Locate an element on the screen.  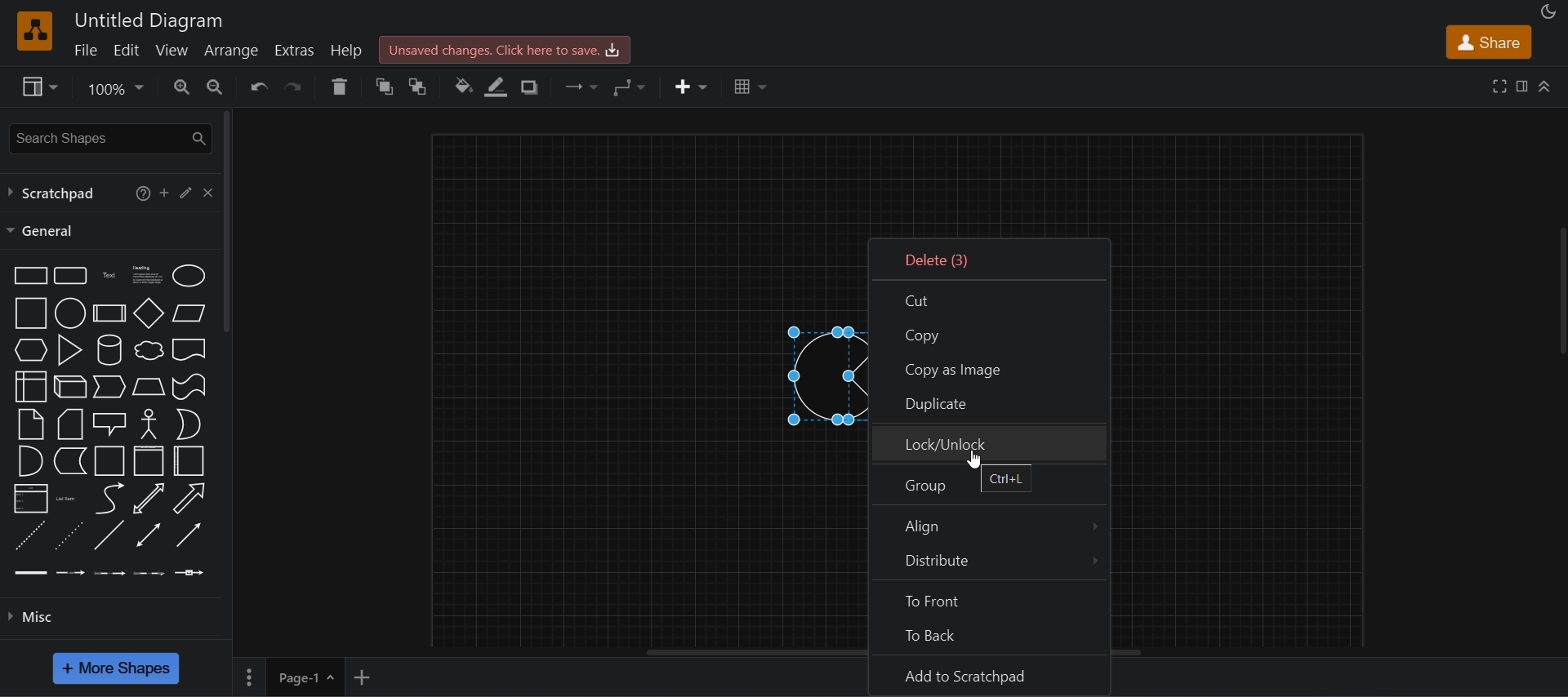
more shapes is located at coordinates (116, 668).